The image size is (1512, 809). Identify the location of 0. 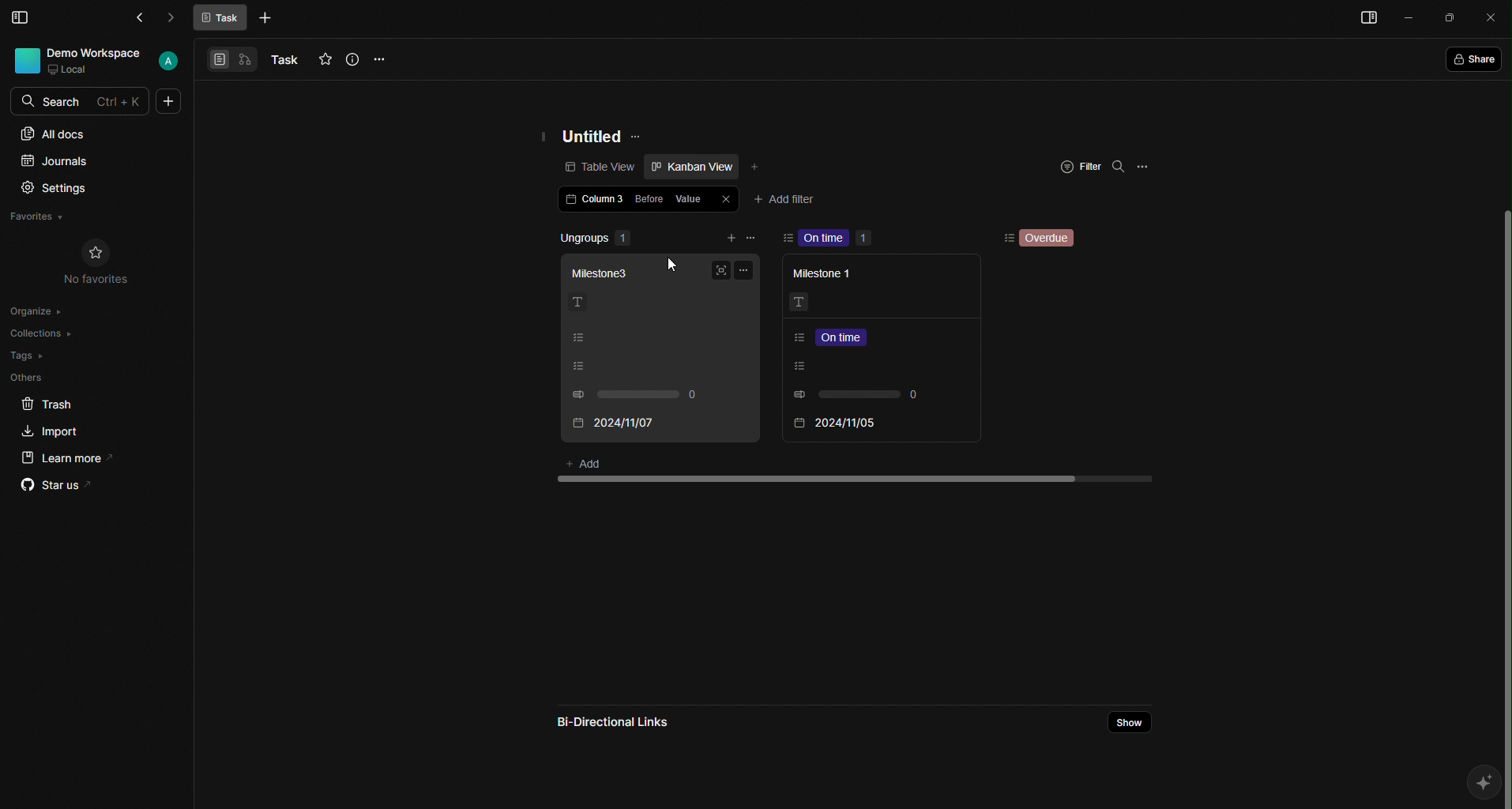
(859, 396).